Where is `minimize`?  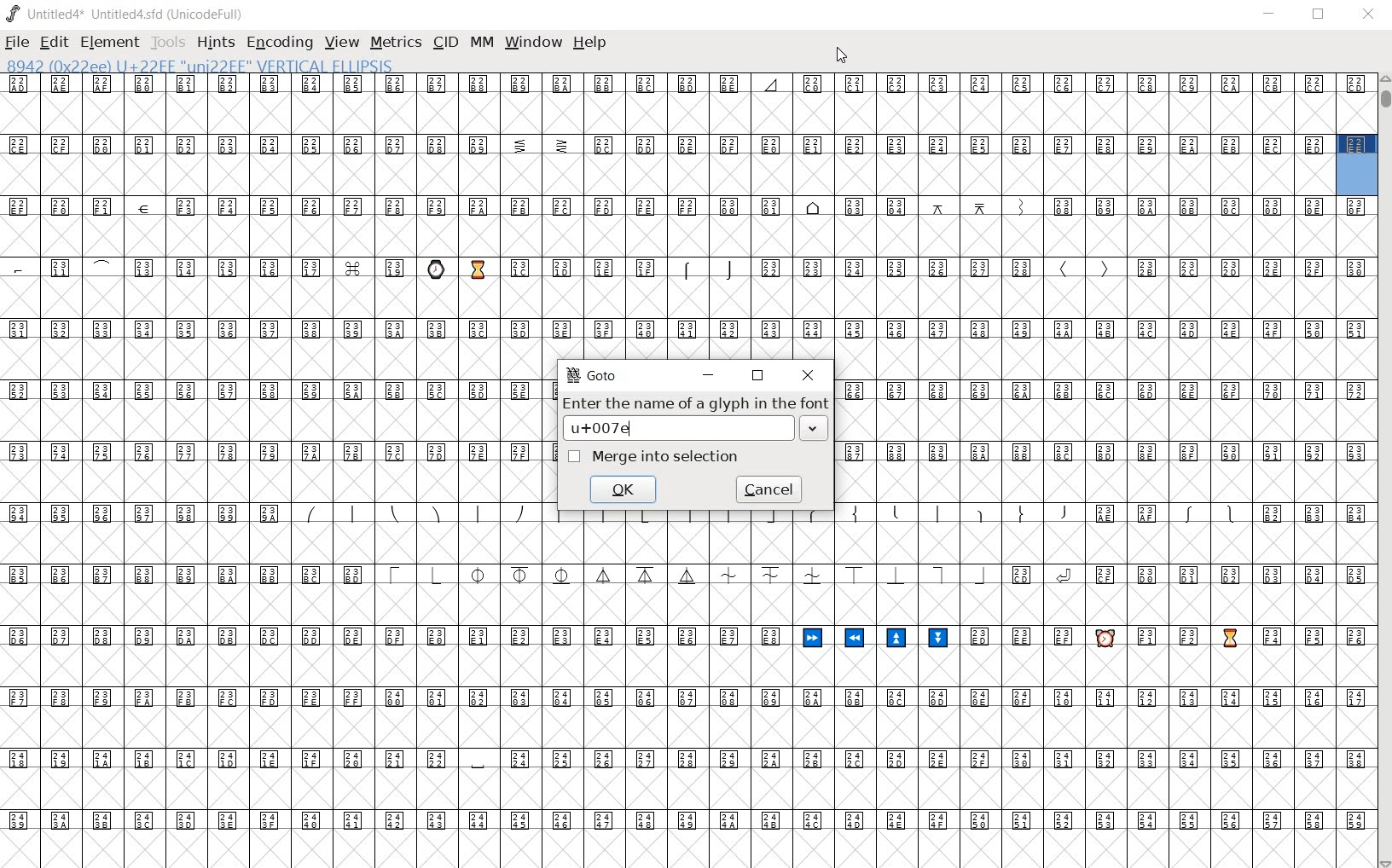
minimize is located at coordinates (710, 373).